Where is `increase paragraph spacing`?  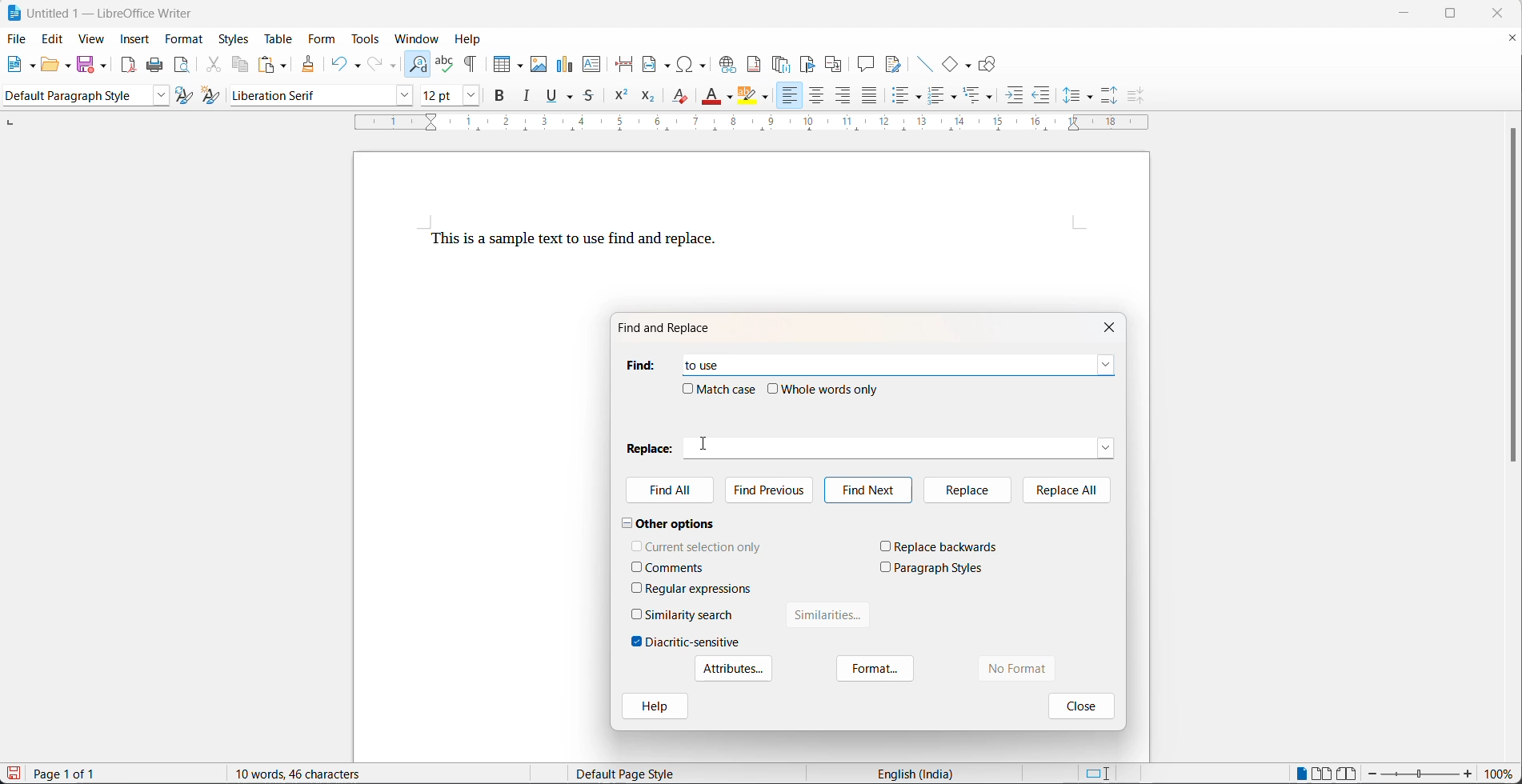
increase paragraph spacing is located at coordinates (1110, 94).